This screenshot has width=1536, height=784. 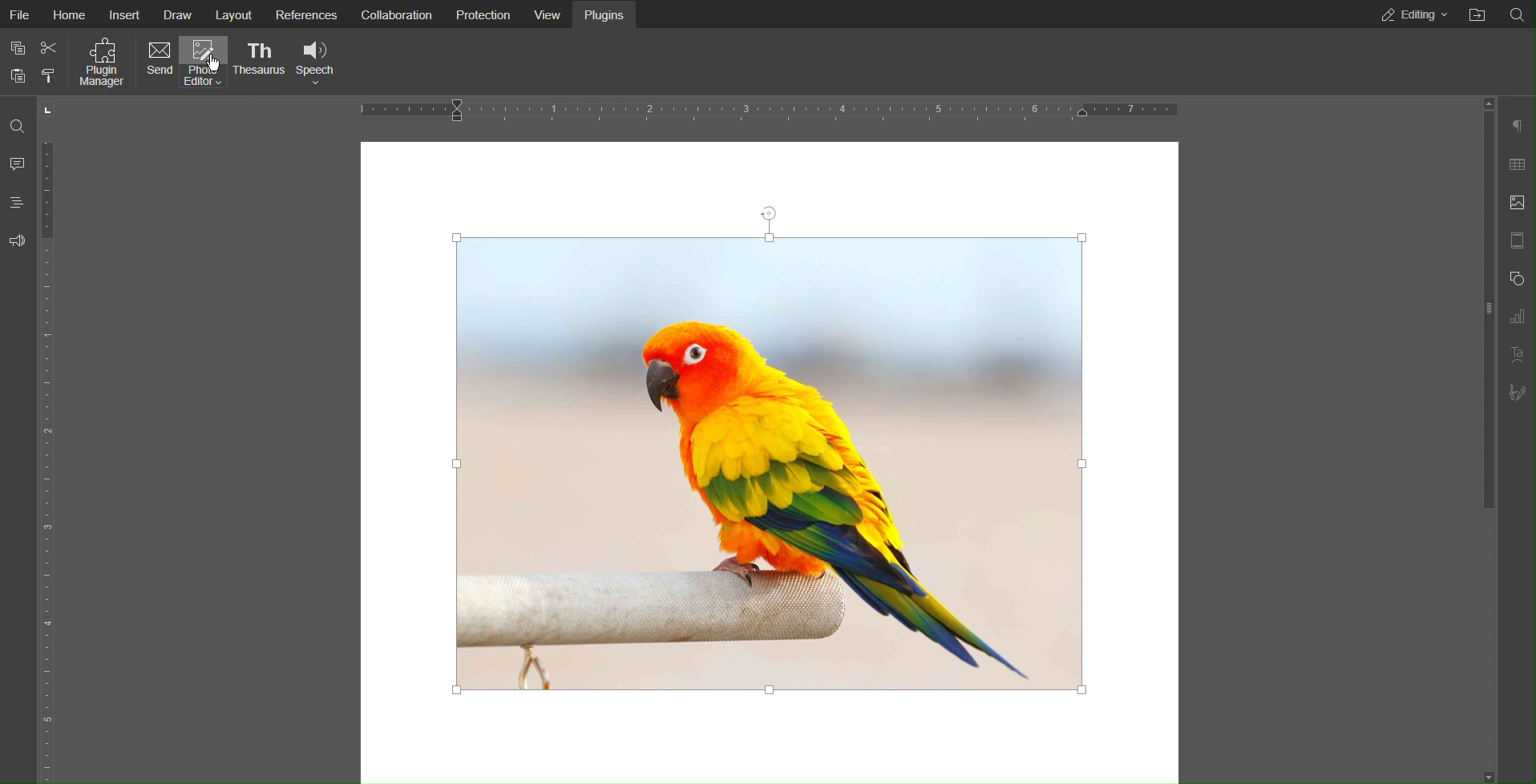 I want to click on Copy, so click(x=16, y=46).